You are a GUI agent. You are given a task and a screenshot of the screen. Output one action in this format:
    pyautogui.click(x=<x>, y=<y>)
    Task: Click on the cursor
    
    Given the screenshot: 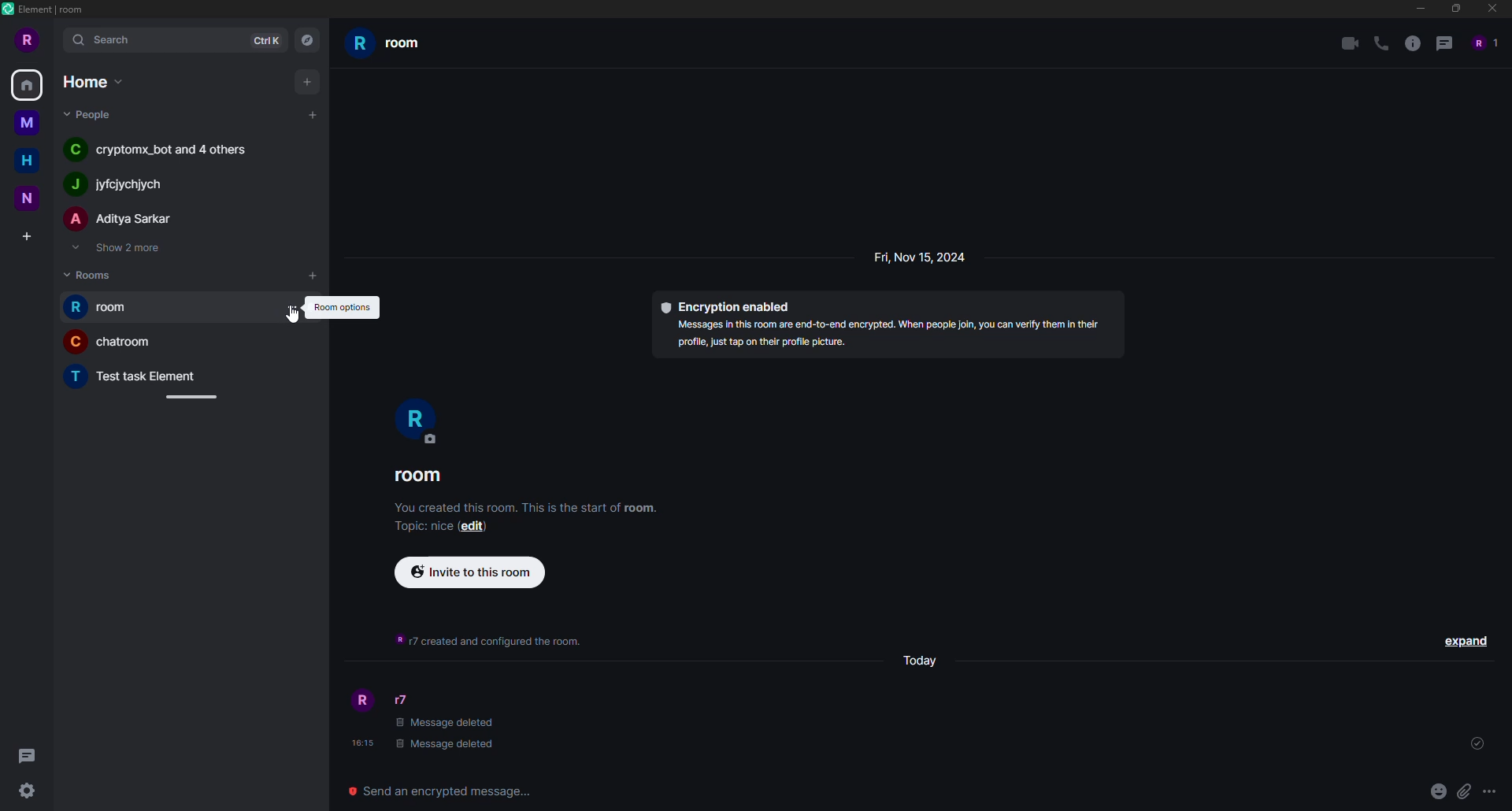 What is the action you would take?
    pyautogui.click(x=295, y=314)
    